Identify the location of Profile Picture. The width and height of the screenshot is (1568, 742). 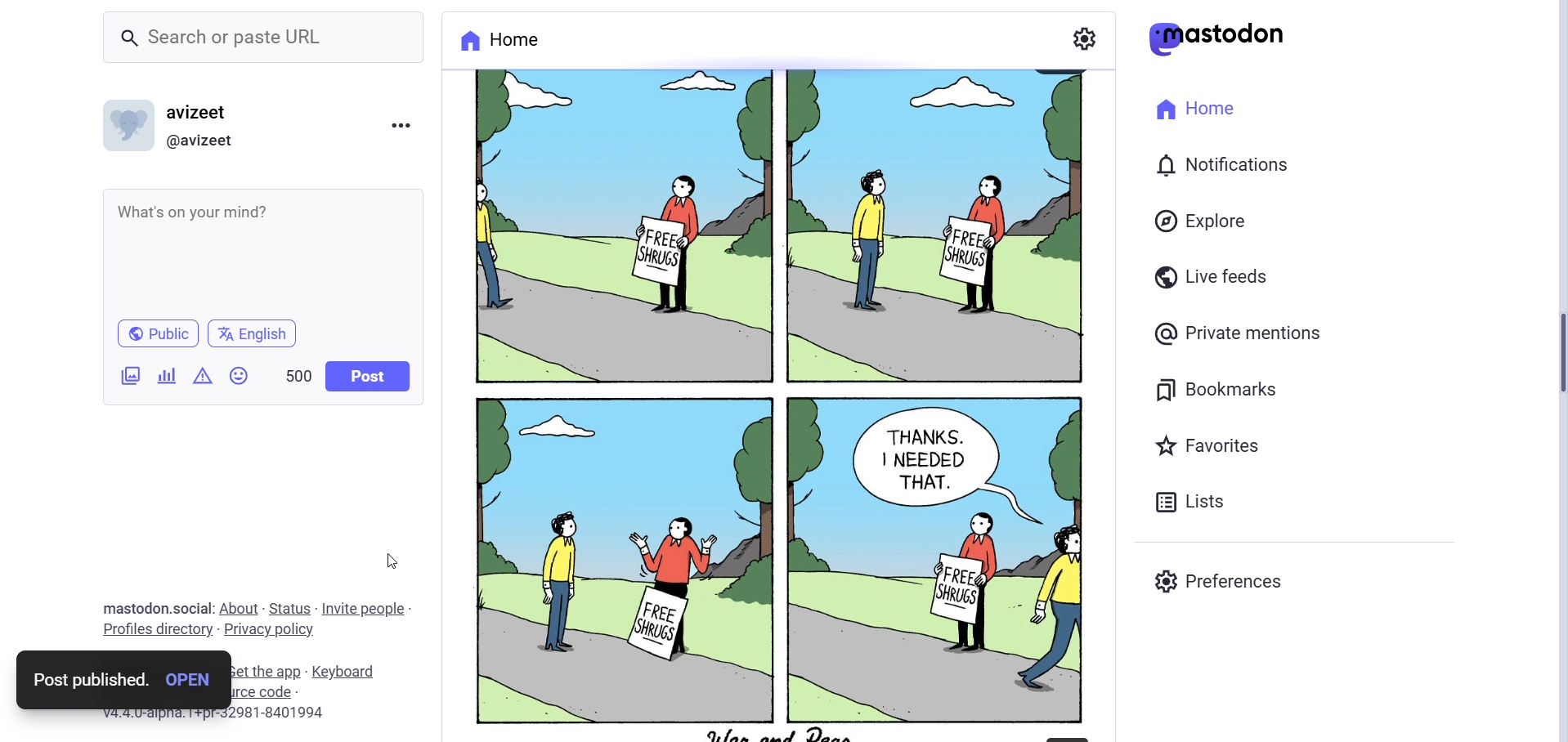
(128, 124).